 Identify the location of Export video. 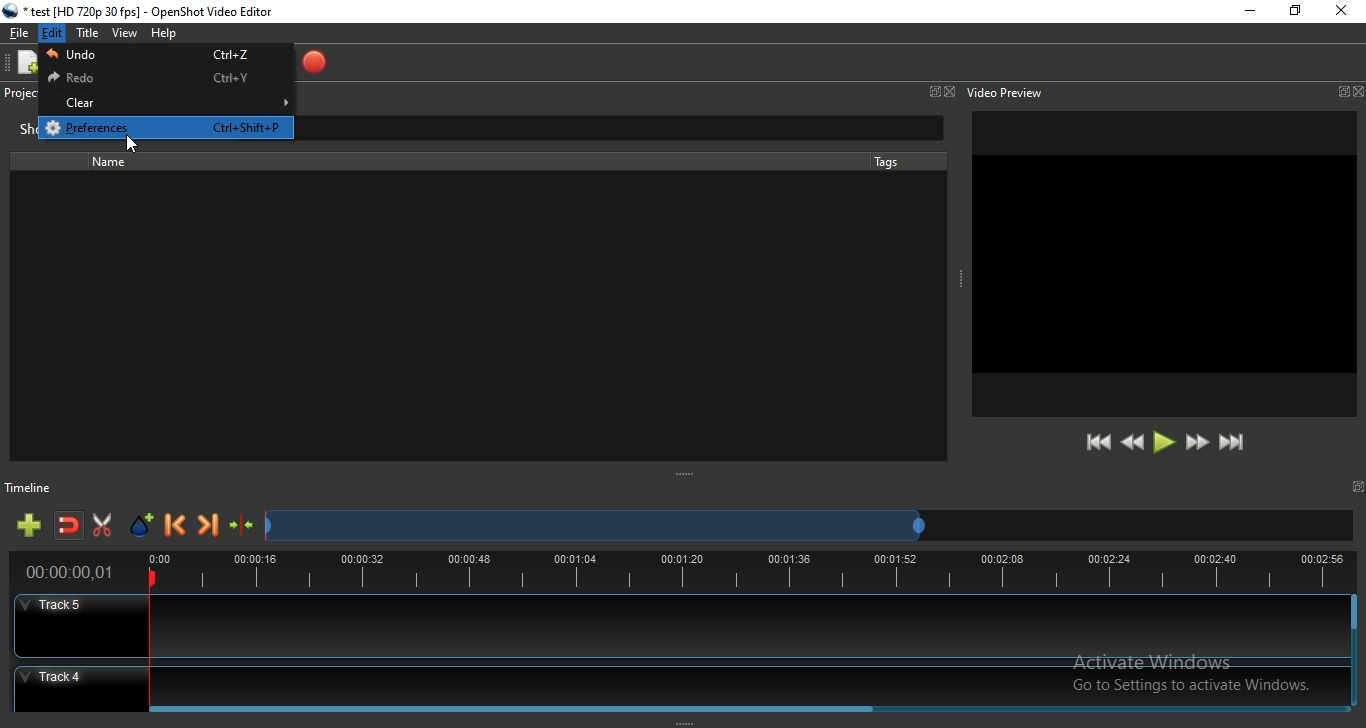
(313, 63).